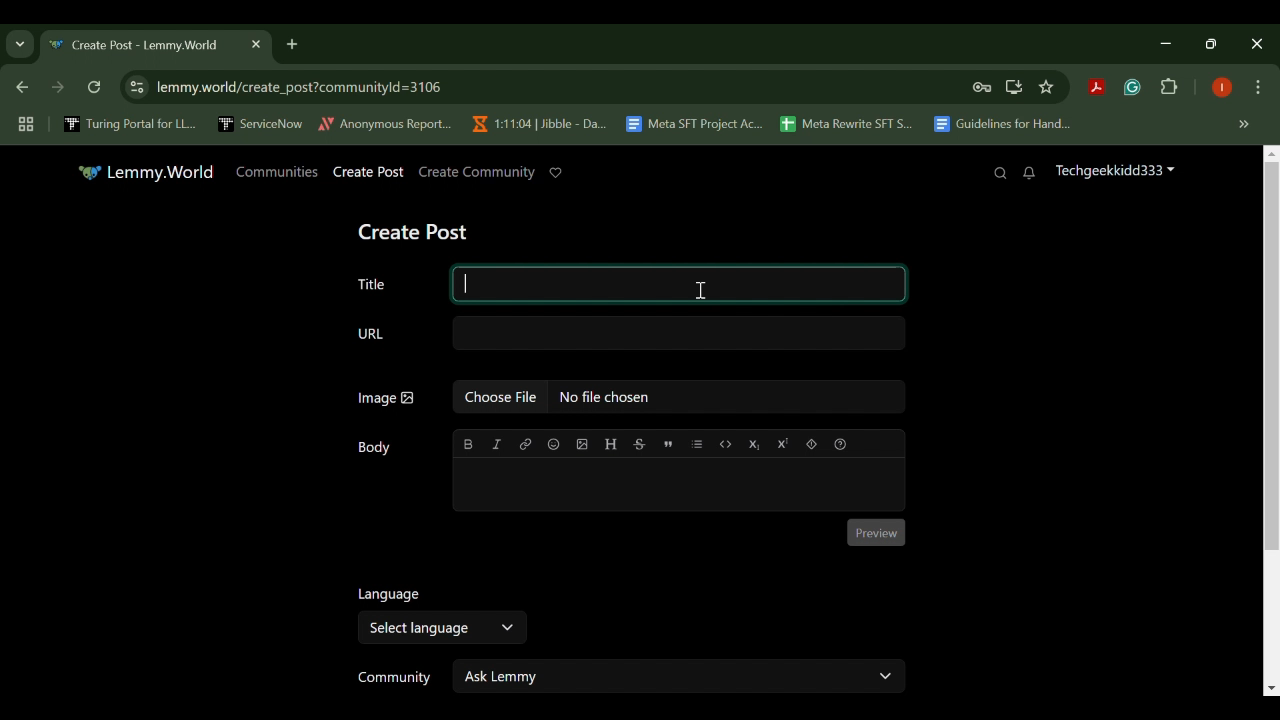  I want to click on Install Desktop Application, so click(1013, 87).